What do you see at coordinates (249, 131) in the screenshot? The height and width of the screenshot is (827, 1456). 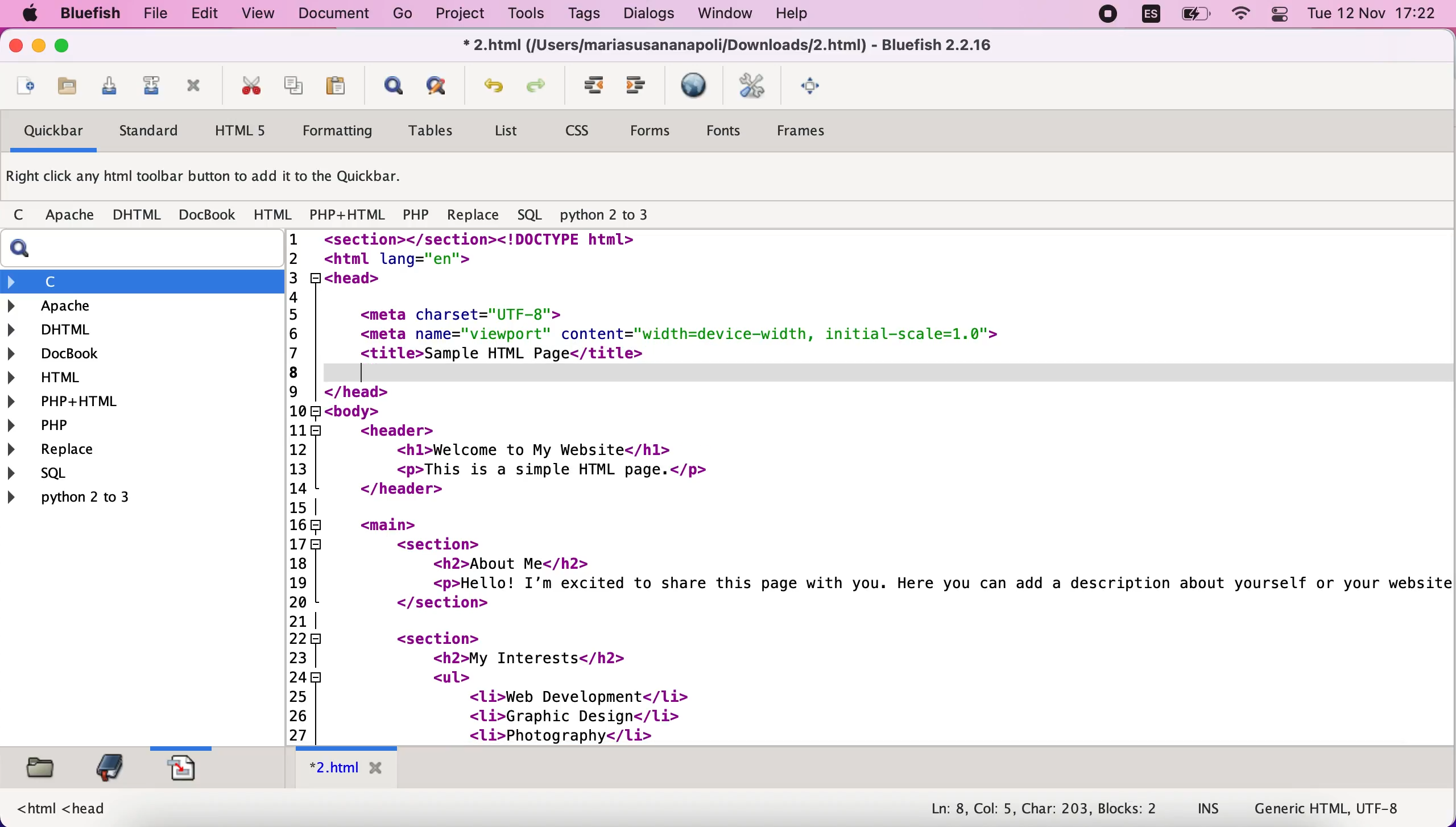 I see `html5` at bounding box center [249, 131].